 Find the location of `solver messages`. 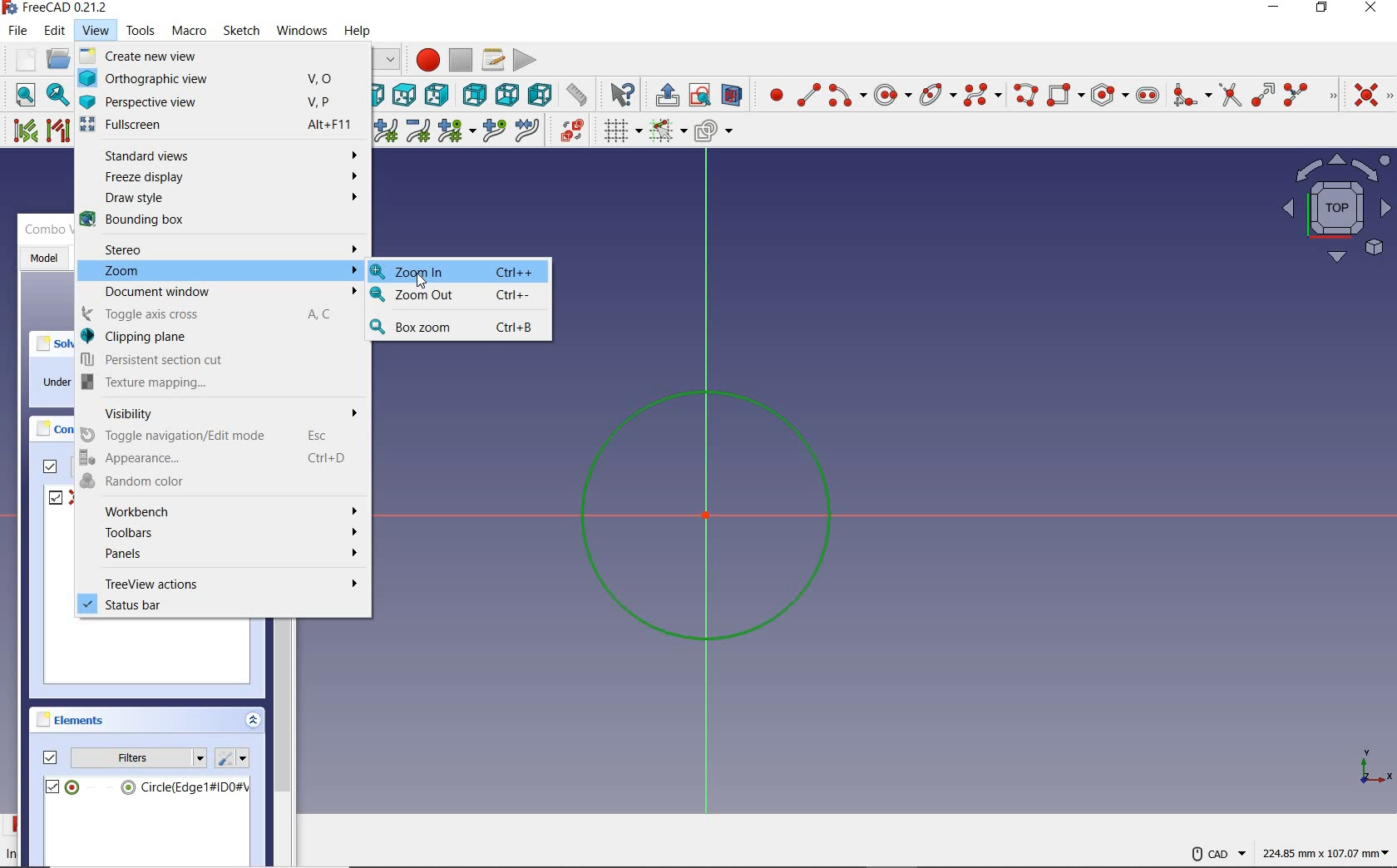

solver messages is located at coordinates (51, 342).